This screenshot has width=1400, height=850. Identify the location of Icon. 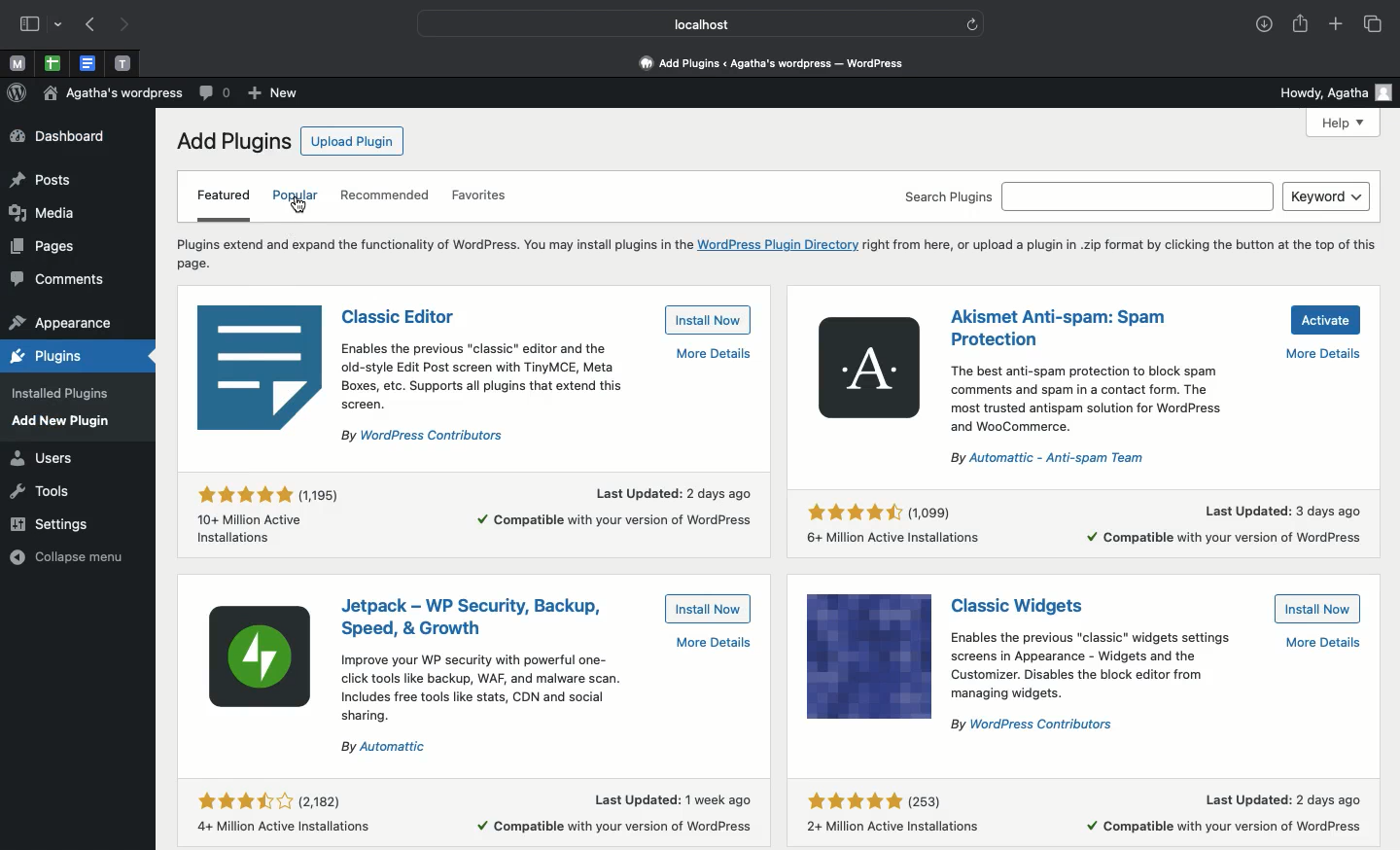
(869, 368).